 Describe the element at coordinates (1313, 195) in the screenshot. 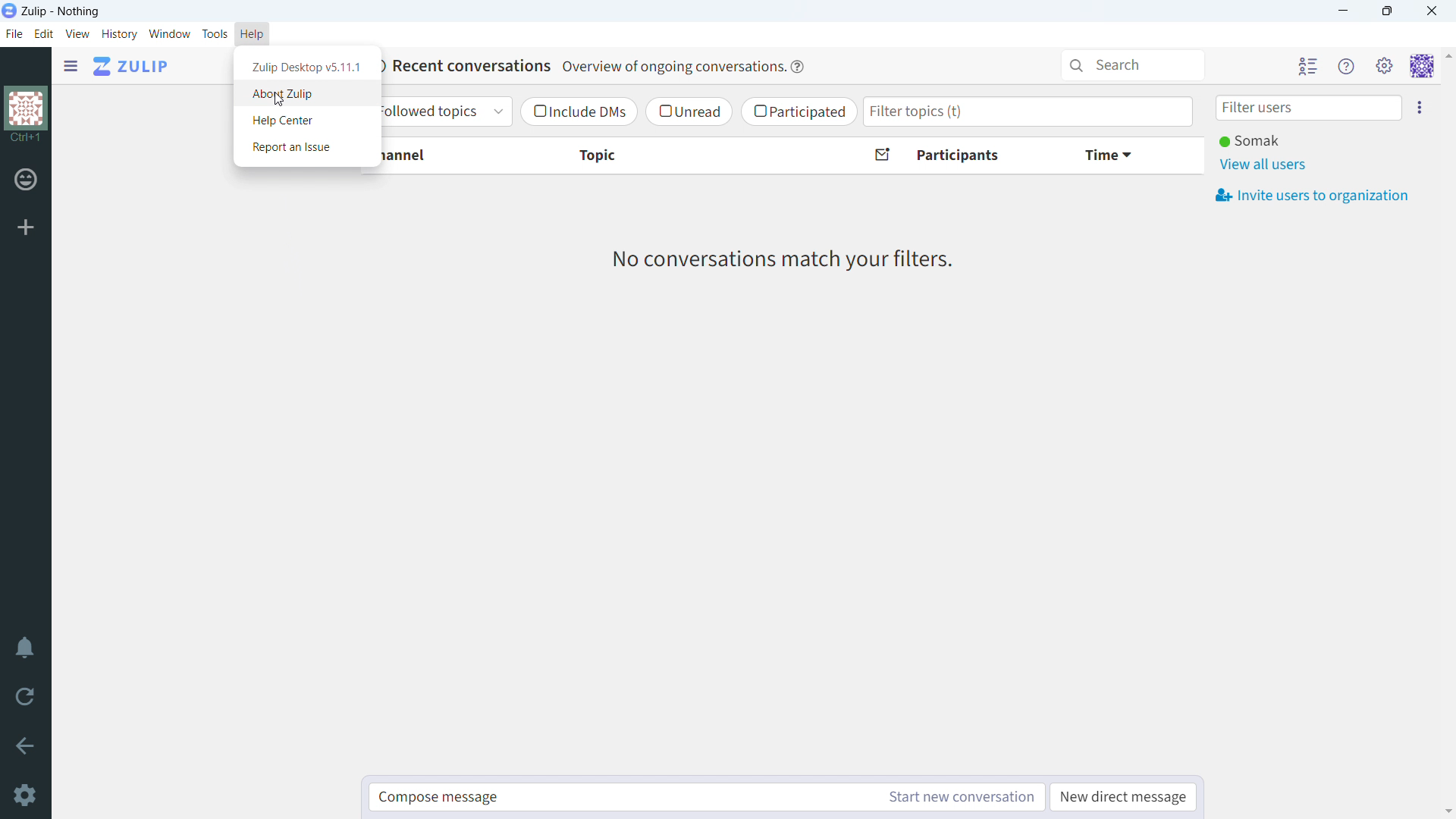

I see `invite users to organization` at that location.